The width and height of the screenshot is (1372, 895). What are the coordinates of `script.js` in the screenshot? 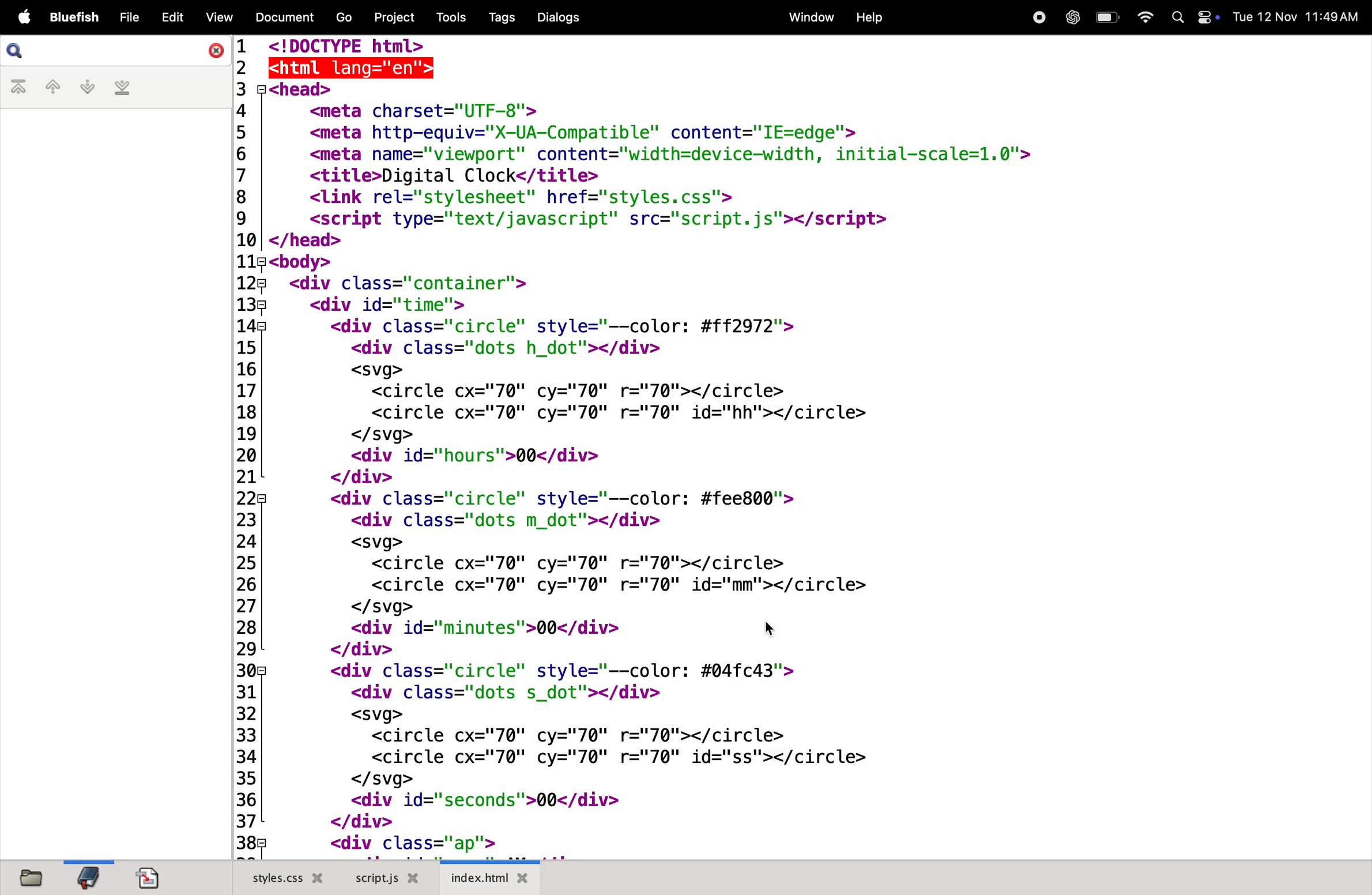 It's located at (387, 878).